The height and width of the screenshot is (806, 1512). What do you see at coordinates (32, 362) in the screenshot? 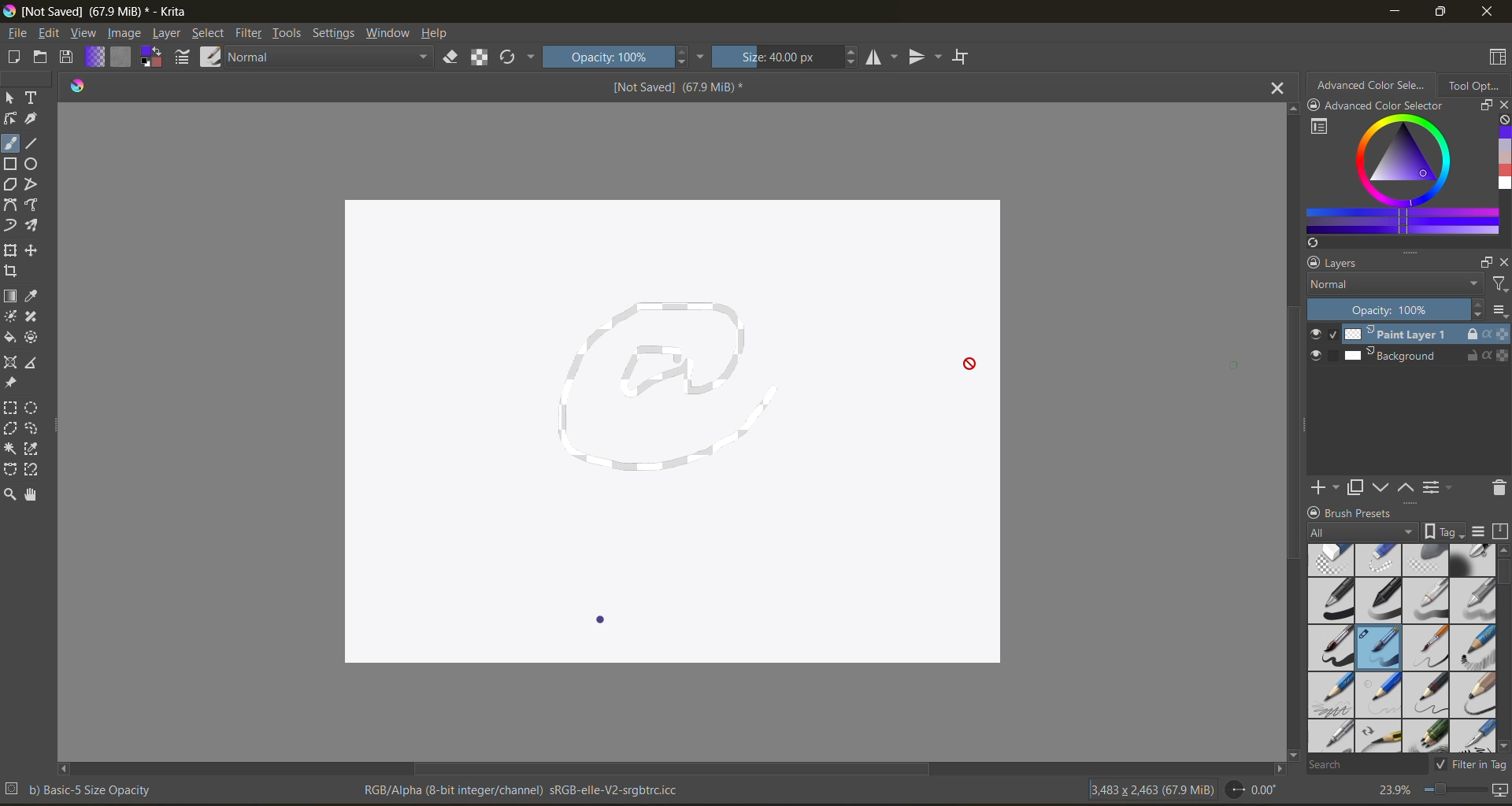
I see `measure distance` at bounding box center [32, 362].